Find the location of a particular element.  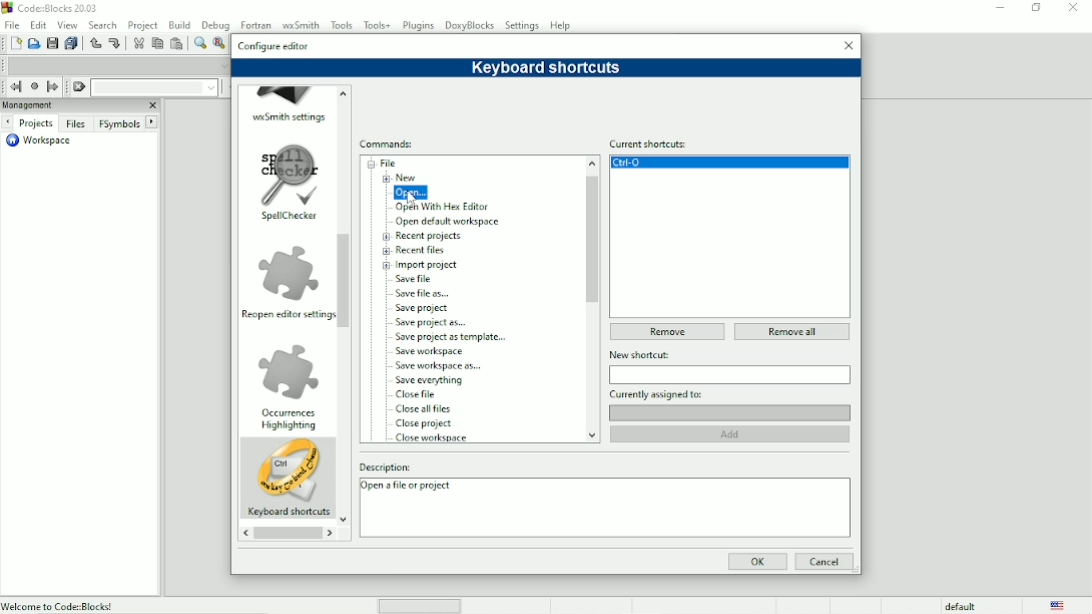

Projects is located at coordinates (35, 123).